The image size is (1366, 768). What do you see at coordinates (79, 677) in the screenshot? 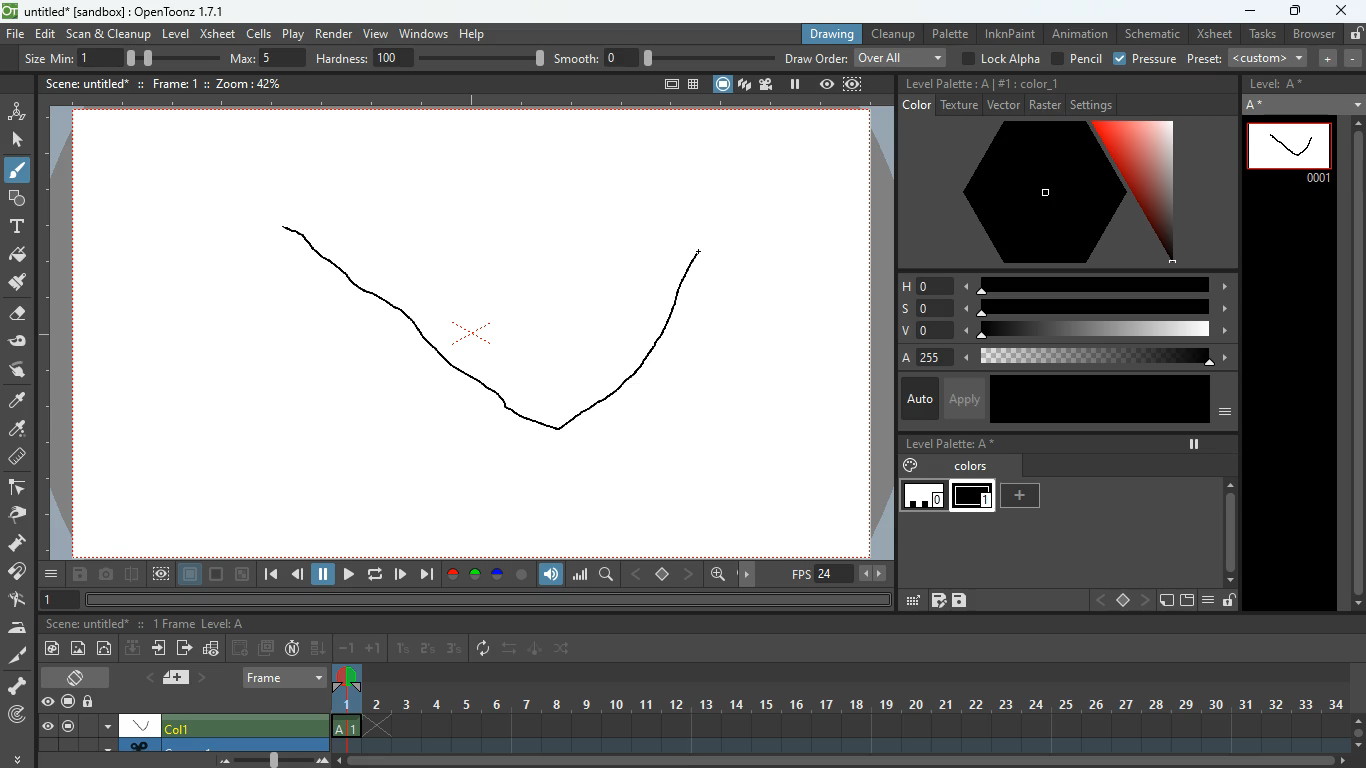
I see `change screen` at bounding box center [79, 677].